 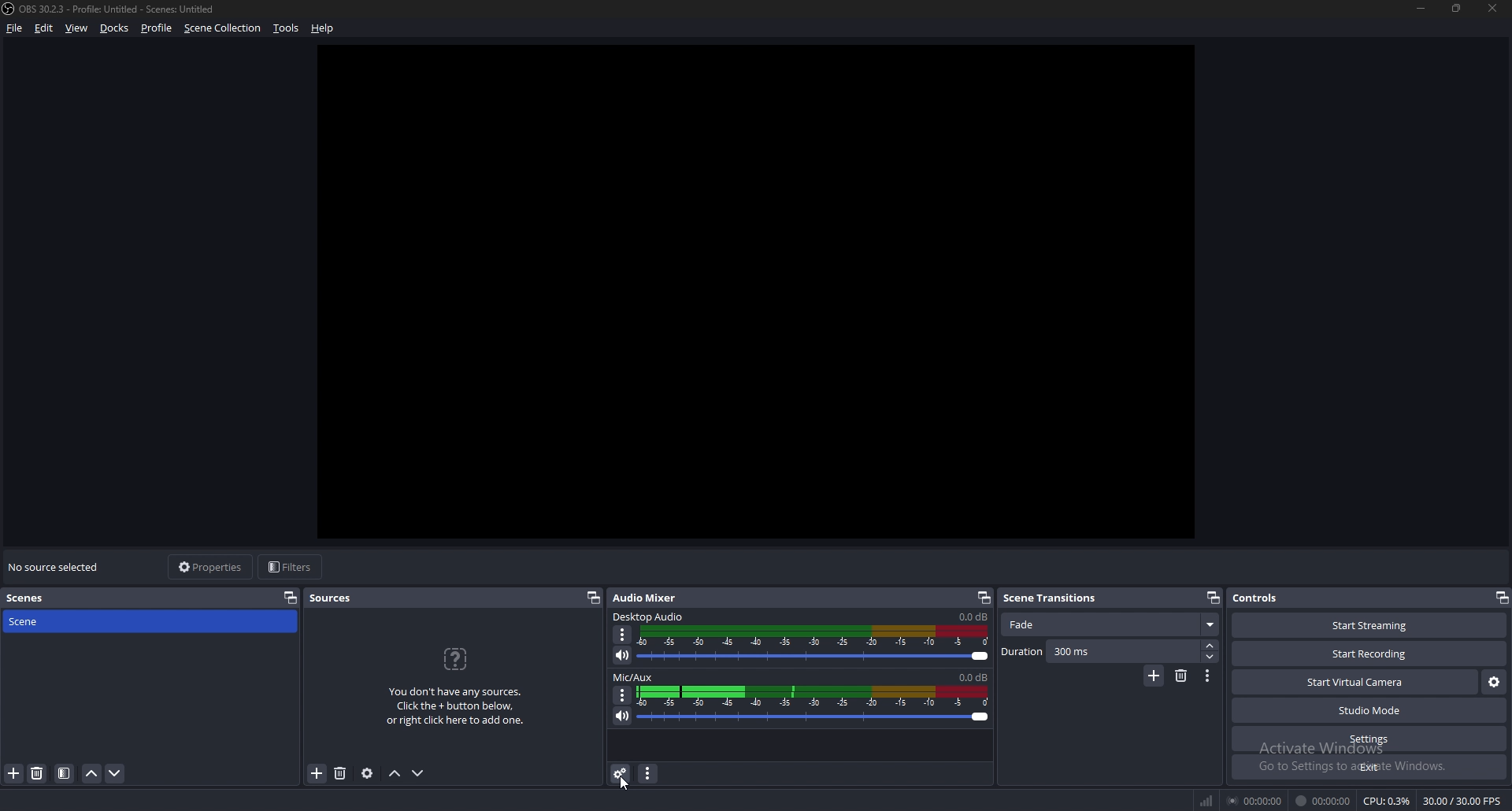 I want to click on delete source, so click(x=342, y=772).